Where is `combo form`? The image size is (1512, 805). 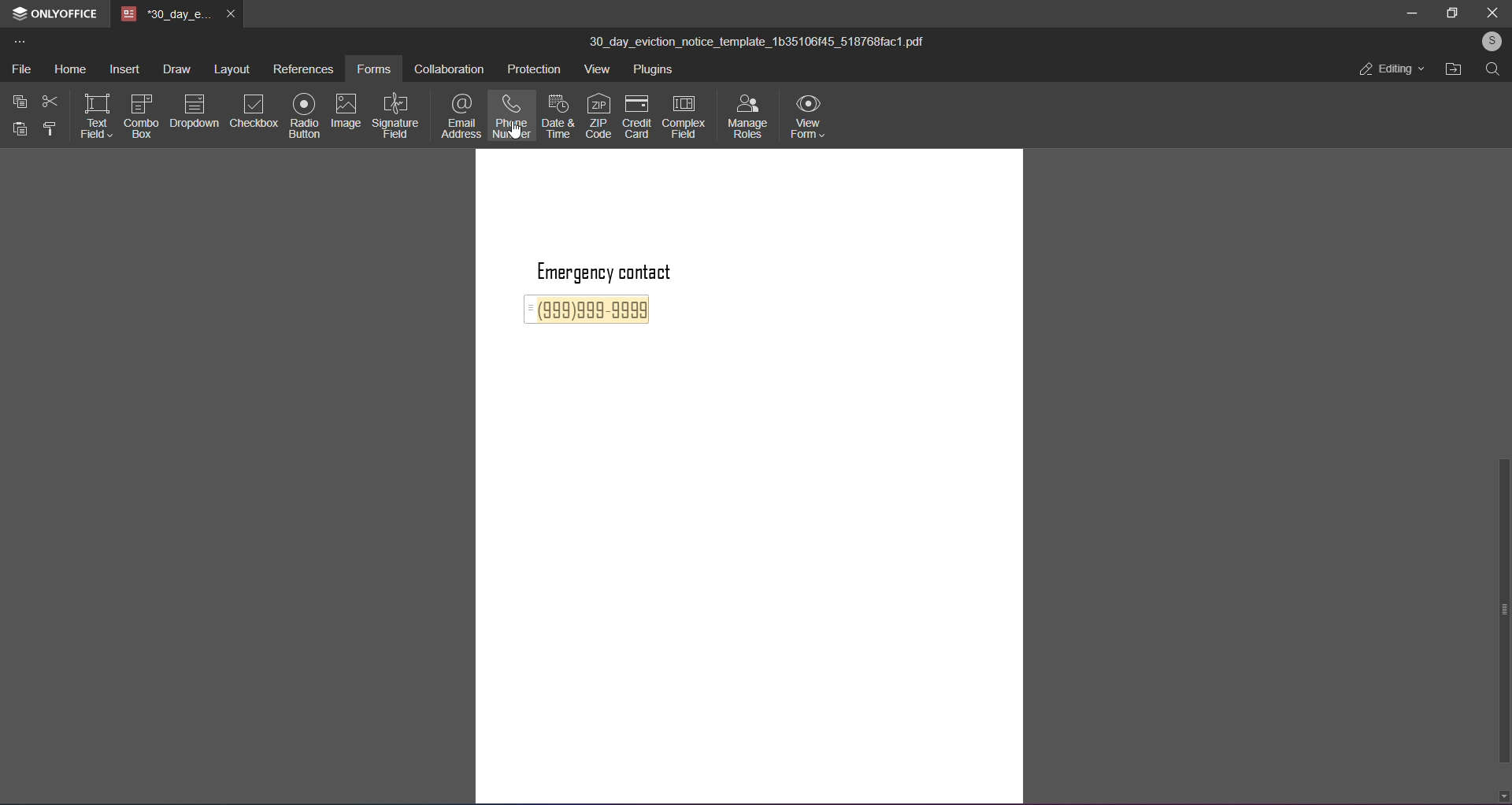 combo form is located at coordinates (142, 113).